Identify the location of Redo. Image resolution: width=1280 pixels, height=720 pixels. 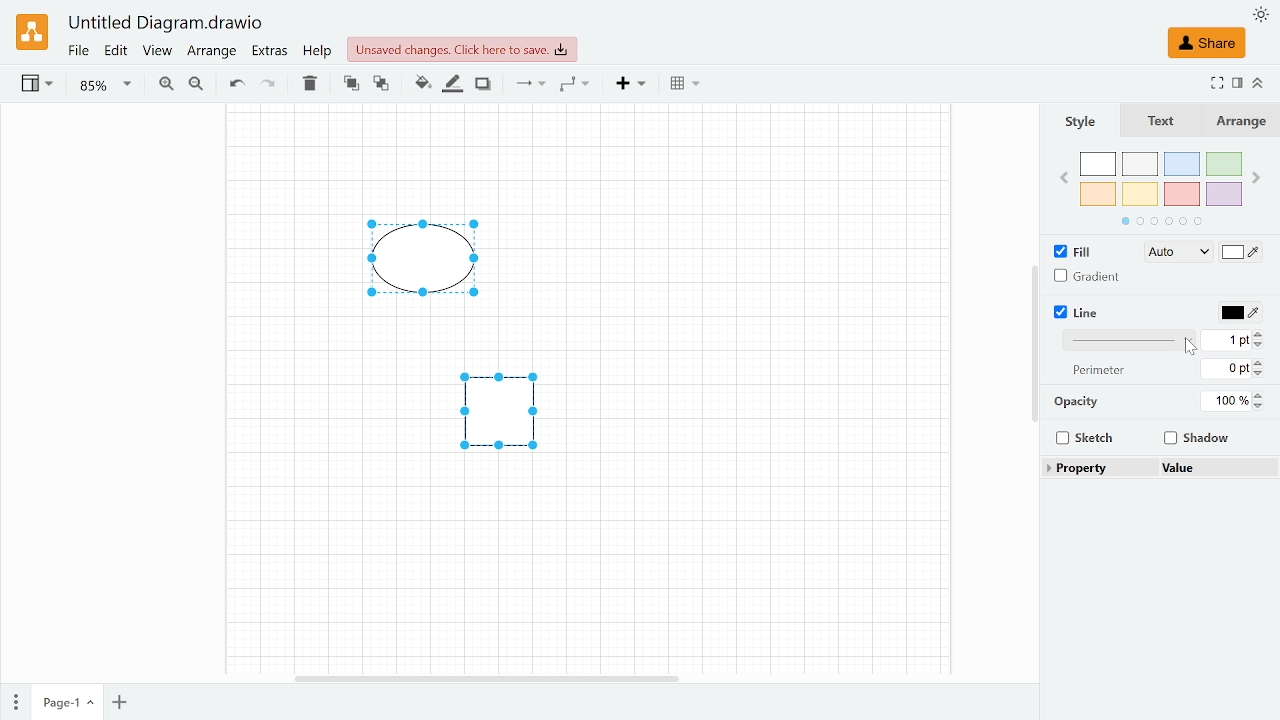
(268, 85).